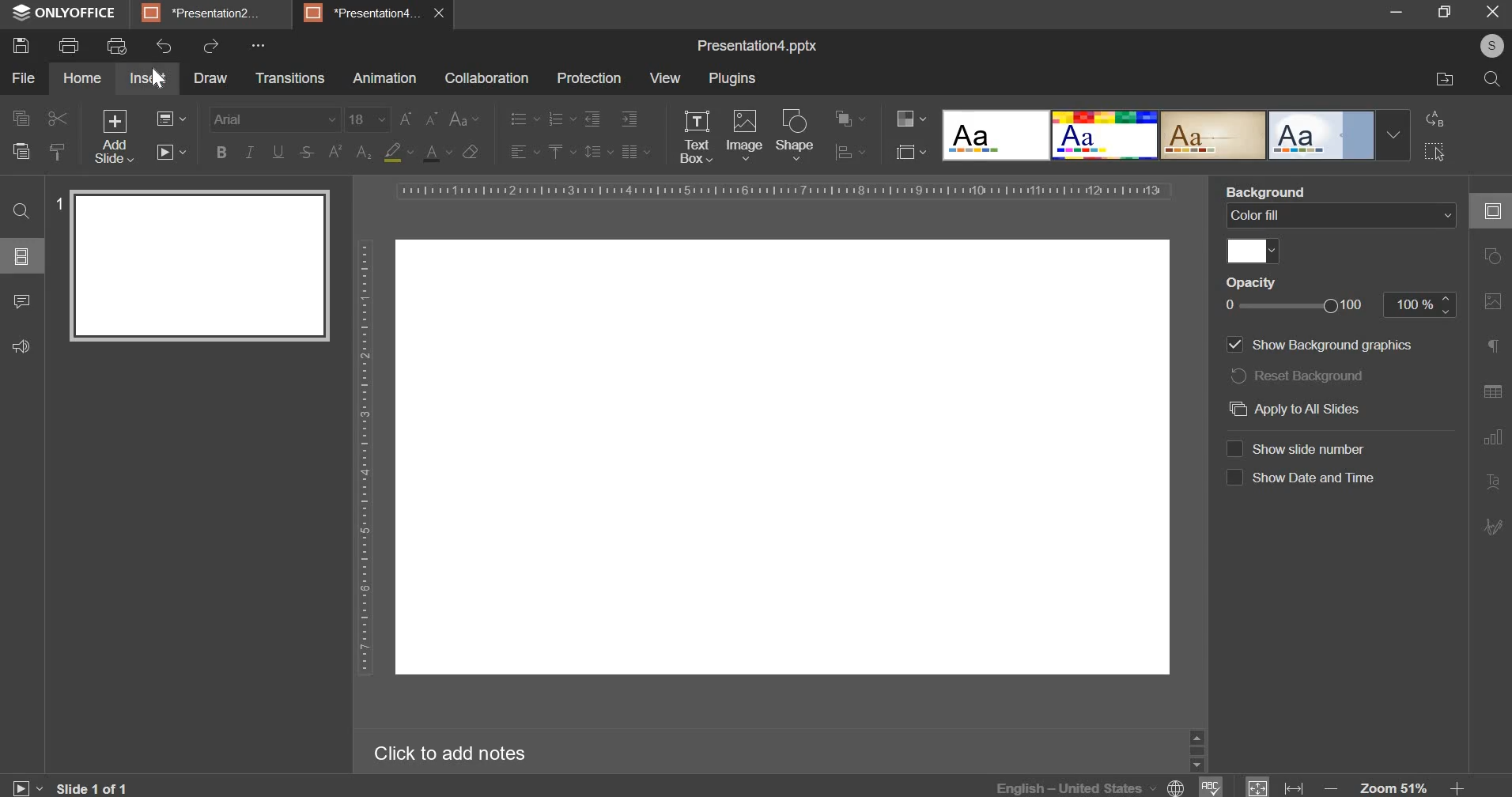 This screenshot has height=797, width=1512. I want to click on restore down, so click(1447, 12).